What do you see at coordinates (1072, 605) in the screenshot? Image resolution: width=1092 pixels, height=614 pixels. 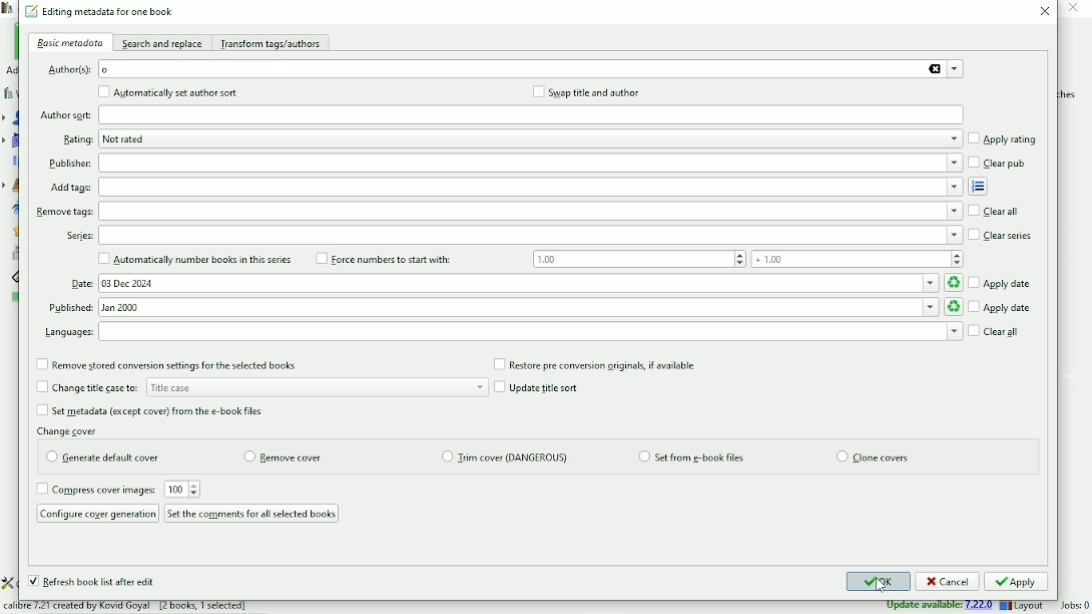 I see `Jobs` at bounding box center [1072, 605].